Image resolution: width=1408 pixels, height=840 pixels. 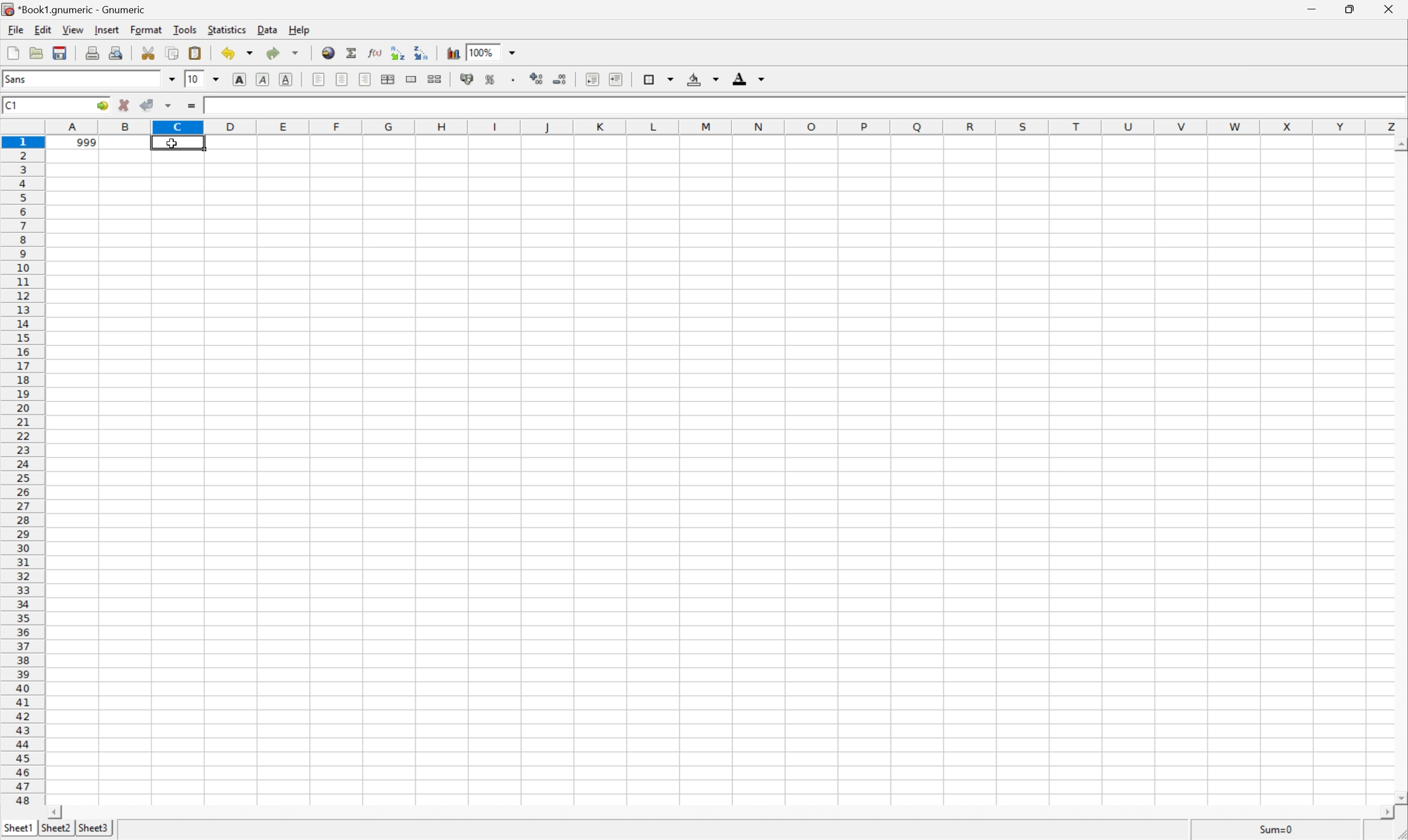 What do you see at coordinates (190, 106) in the screenshot?
I see `enter formula` at bounding box center [190, 106].